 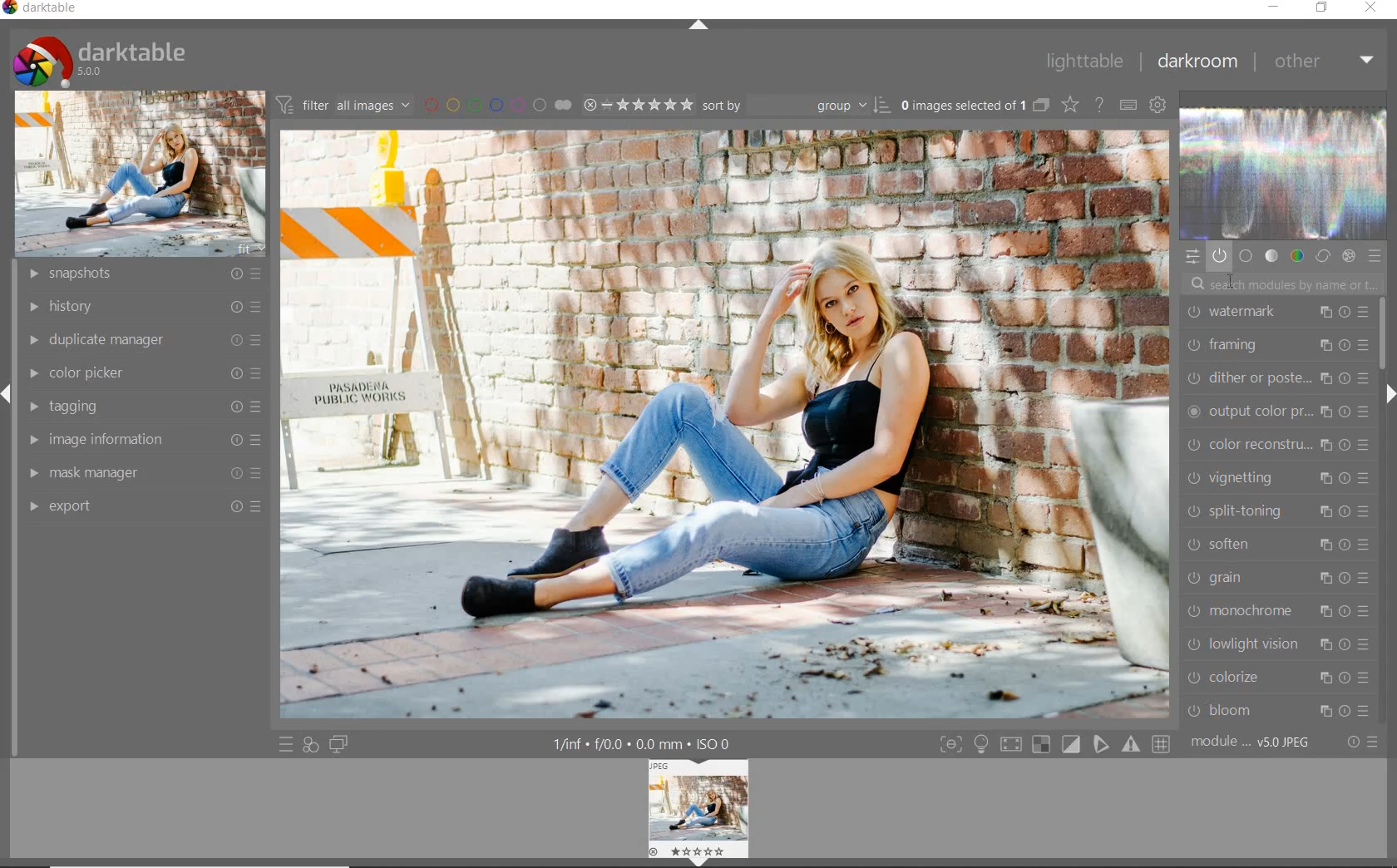 I want to click on monochrome, so click(x=1276, y=614).